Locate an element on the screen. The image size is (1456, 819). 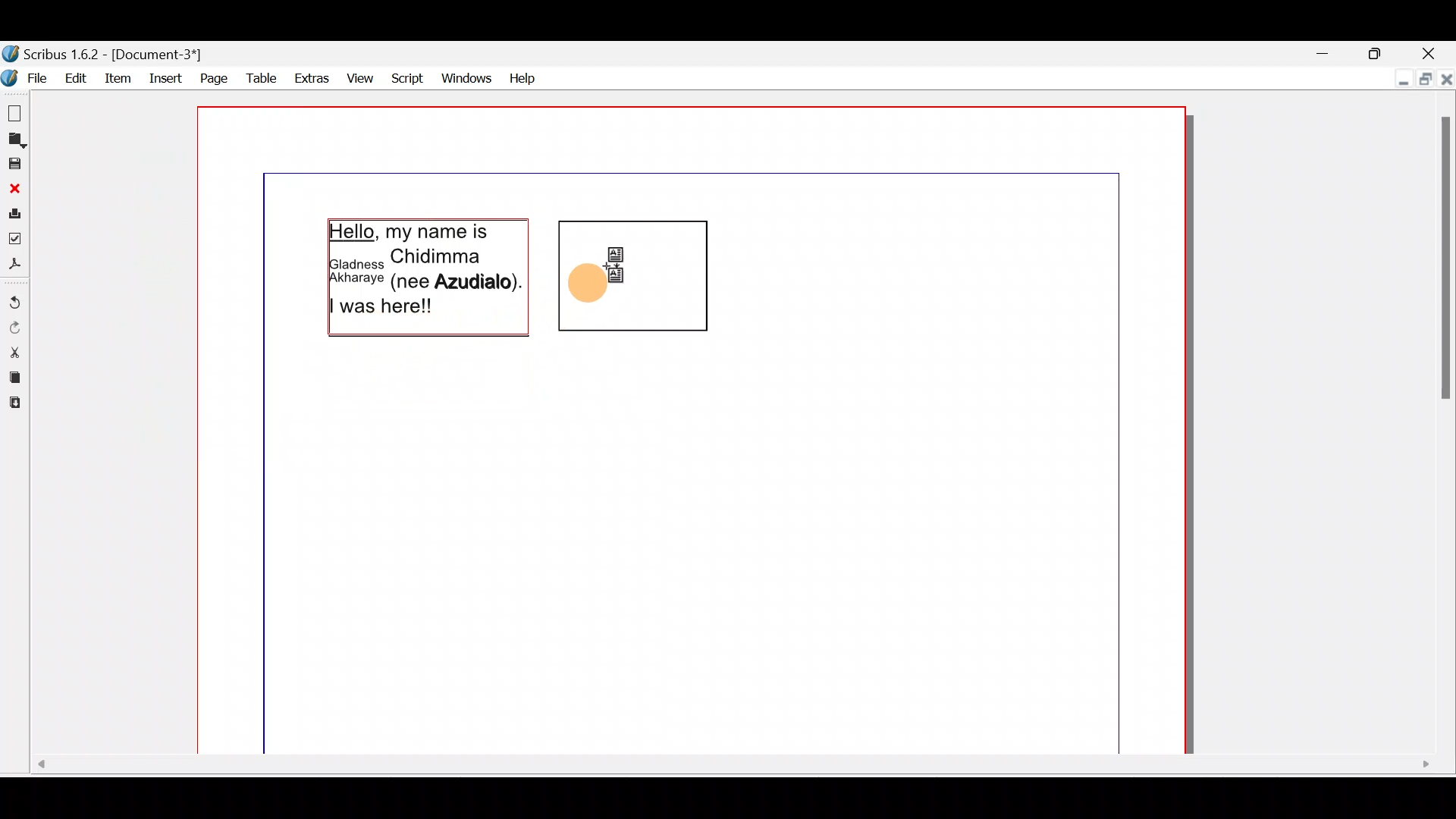
Close is located at coordinates (1429, 52).